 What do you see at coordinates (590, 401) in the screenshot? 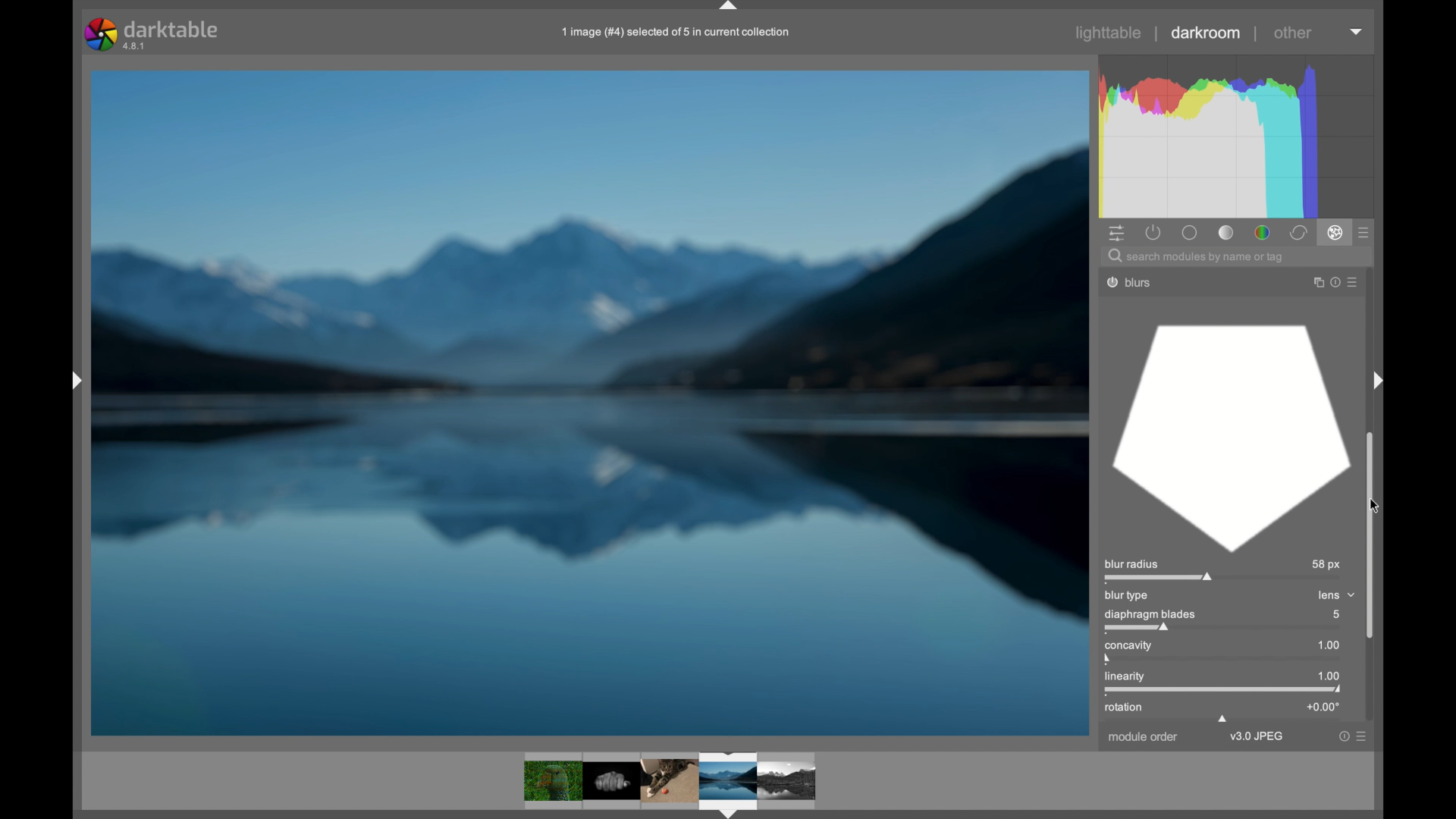
I see `photo ` at bounding box center [590, 401].